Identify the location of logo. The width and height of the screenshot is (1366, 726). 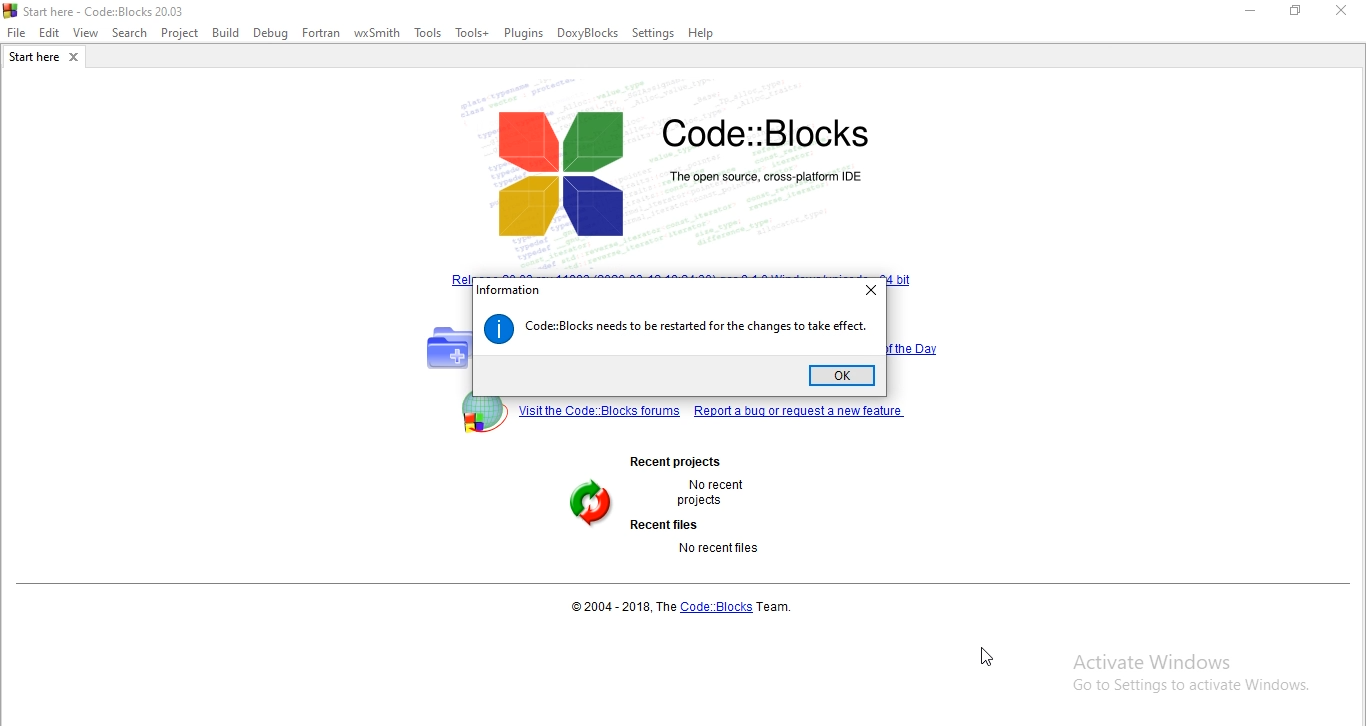
(676, 172).